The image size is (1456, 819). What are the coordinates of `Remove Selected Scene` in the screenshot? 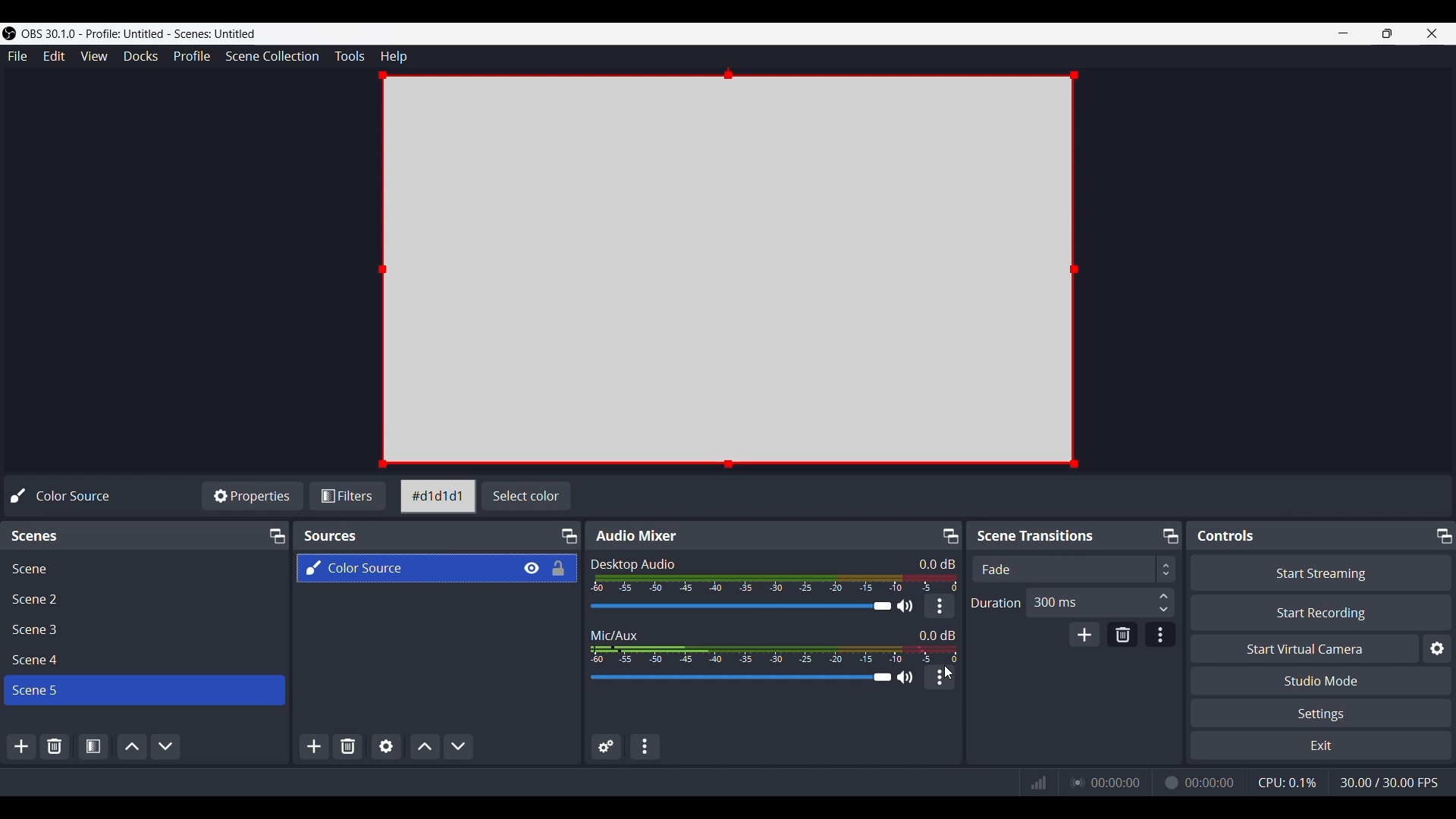 It's located at (55, 745).